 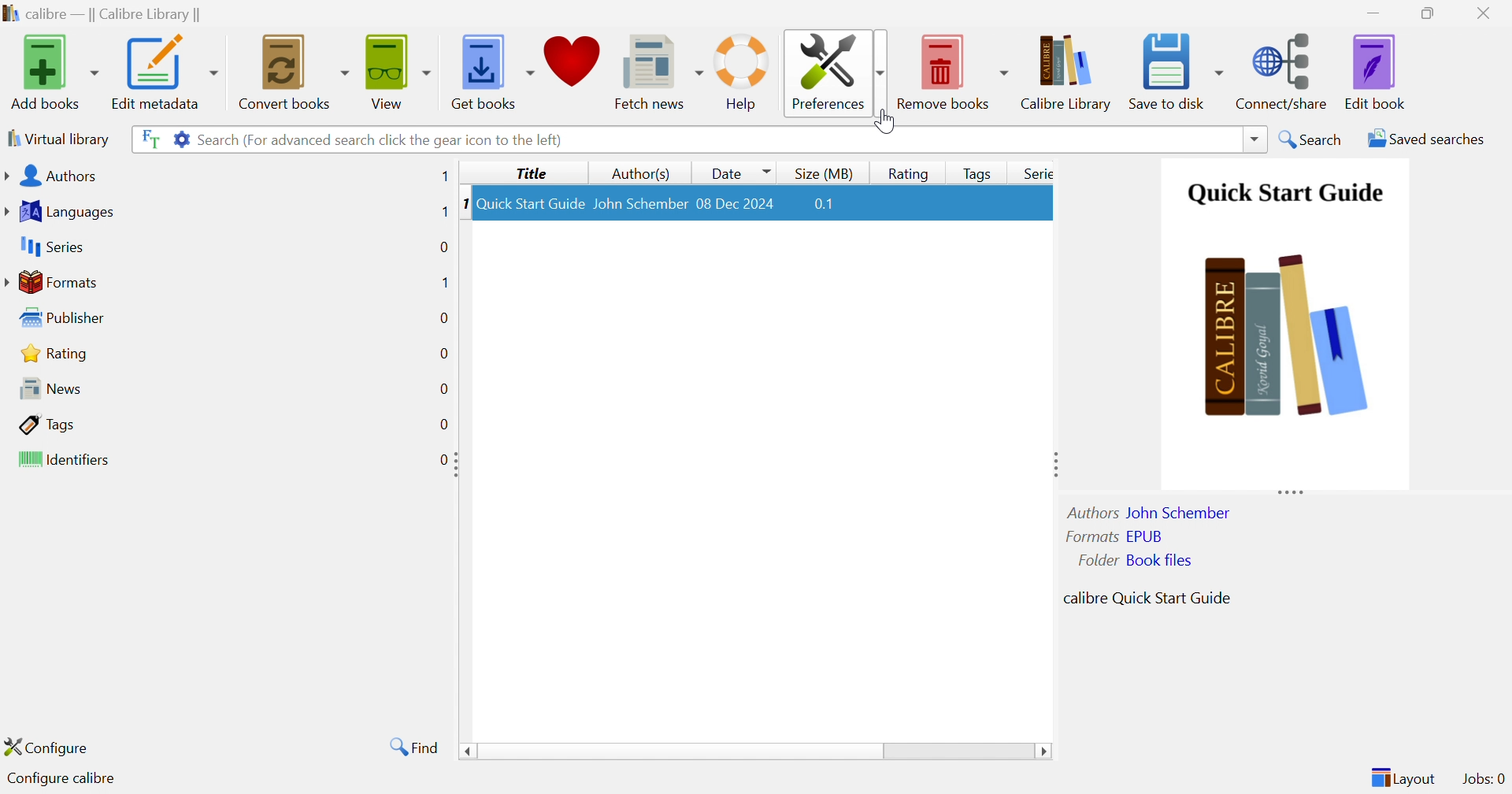 I want to click on calibre Quick Start Guide, so click(x=1147, y=596).